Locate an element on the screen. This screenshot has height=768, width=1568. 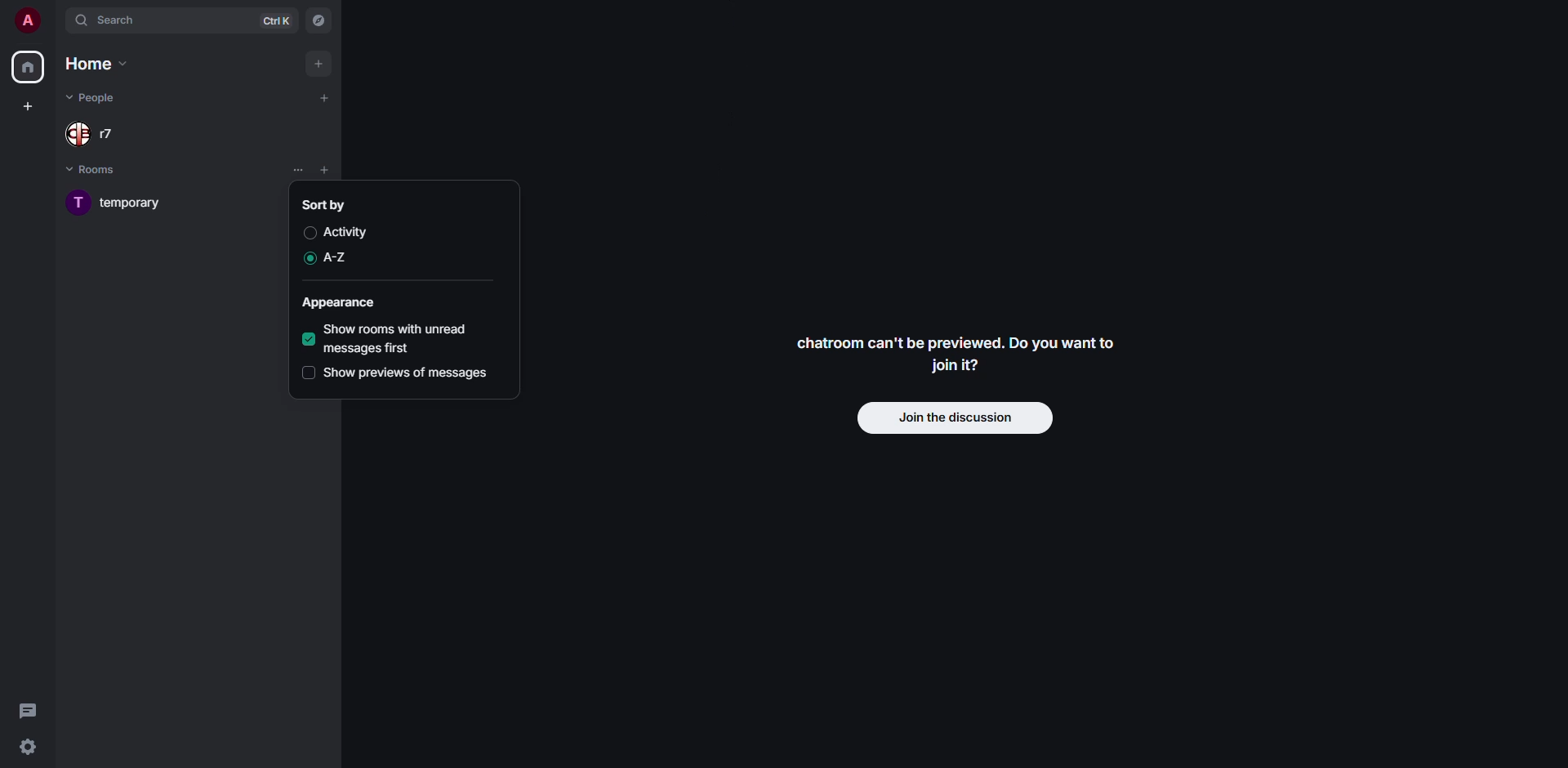
navigator is located at coordinates (320, 20).